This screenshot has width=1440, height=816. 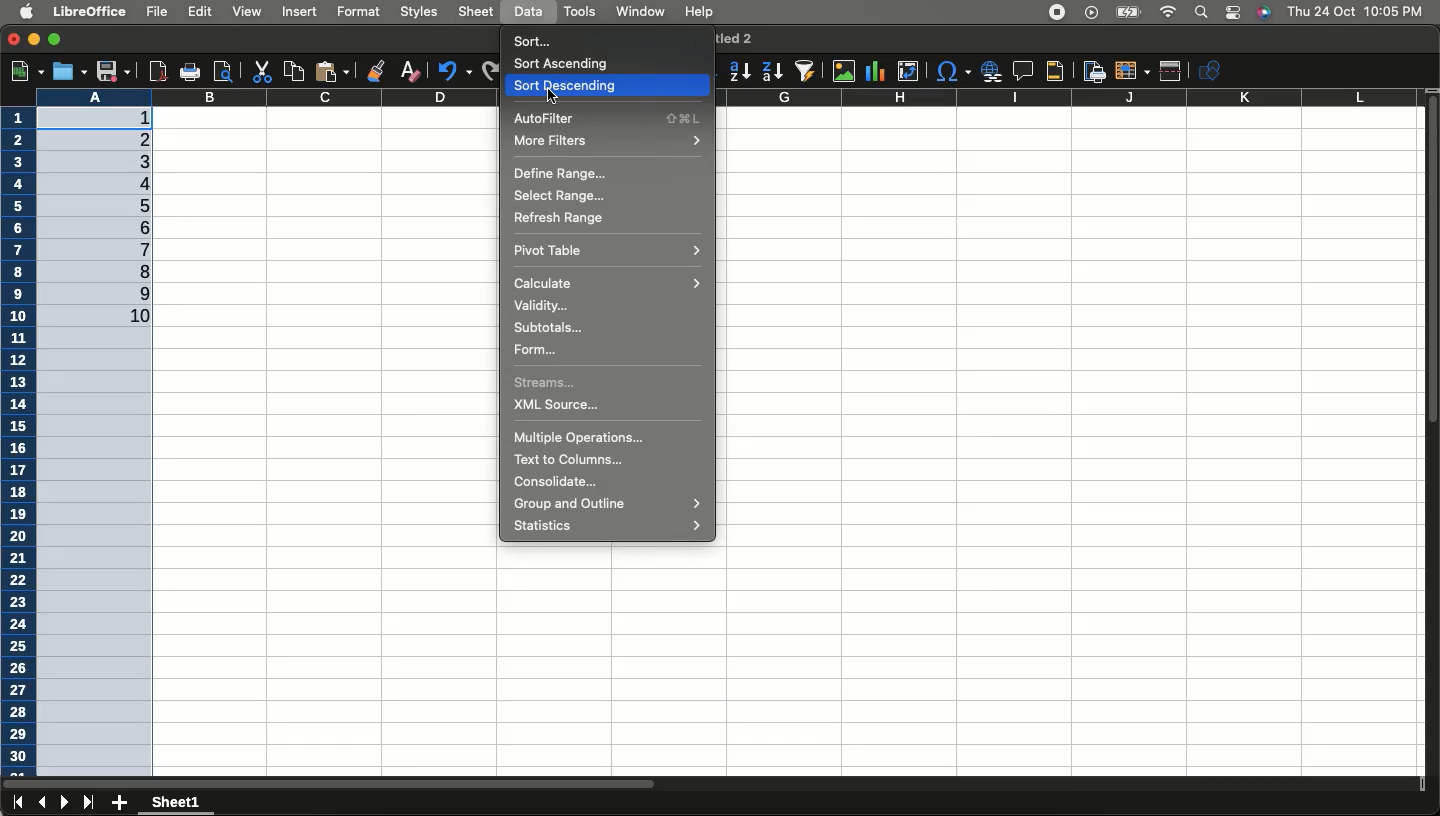 What do you see at coordinates (1431, 269) in the screenshot?
I see `Vertical Scroll bar` at bounding box center [1431, 269].